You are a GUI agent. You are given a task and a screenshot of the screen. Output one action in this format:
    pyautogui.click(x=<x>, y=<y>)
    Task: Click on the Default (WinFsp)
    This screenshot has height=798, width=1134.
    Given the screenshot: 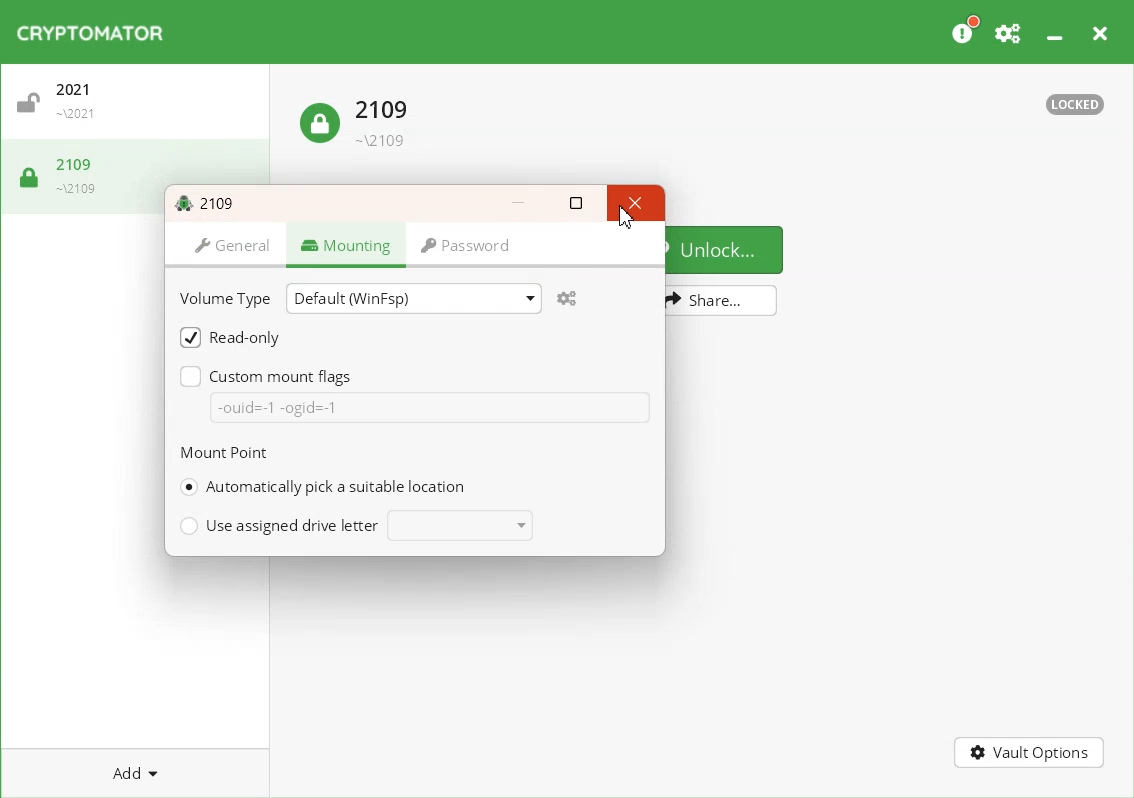 What is the action you would take?
    pyautogui.click(x=413, y=297)
    